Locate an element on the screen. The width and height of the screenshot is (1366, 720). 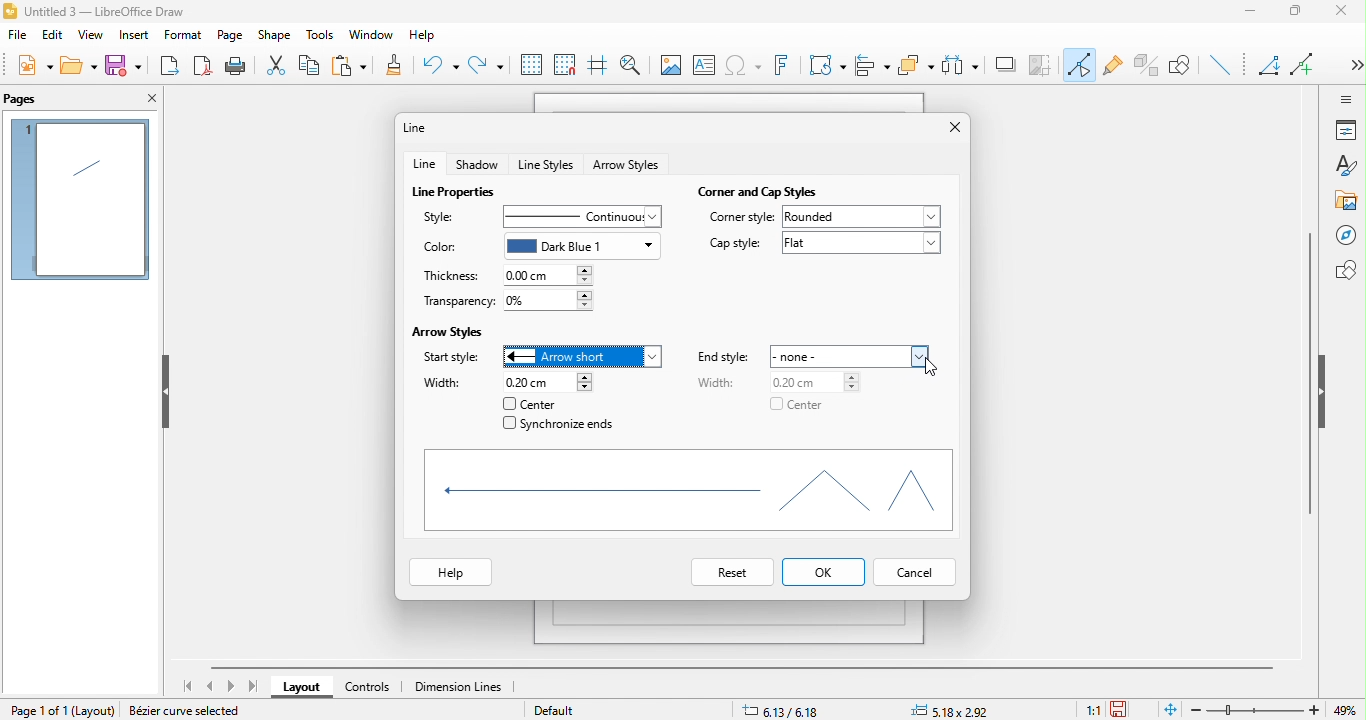
help is located at coordinates (421, 37).